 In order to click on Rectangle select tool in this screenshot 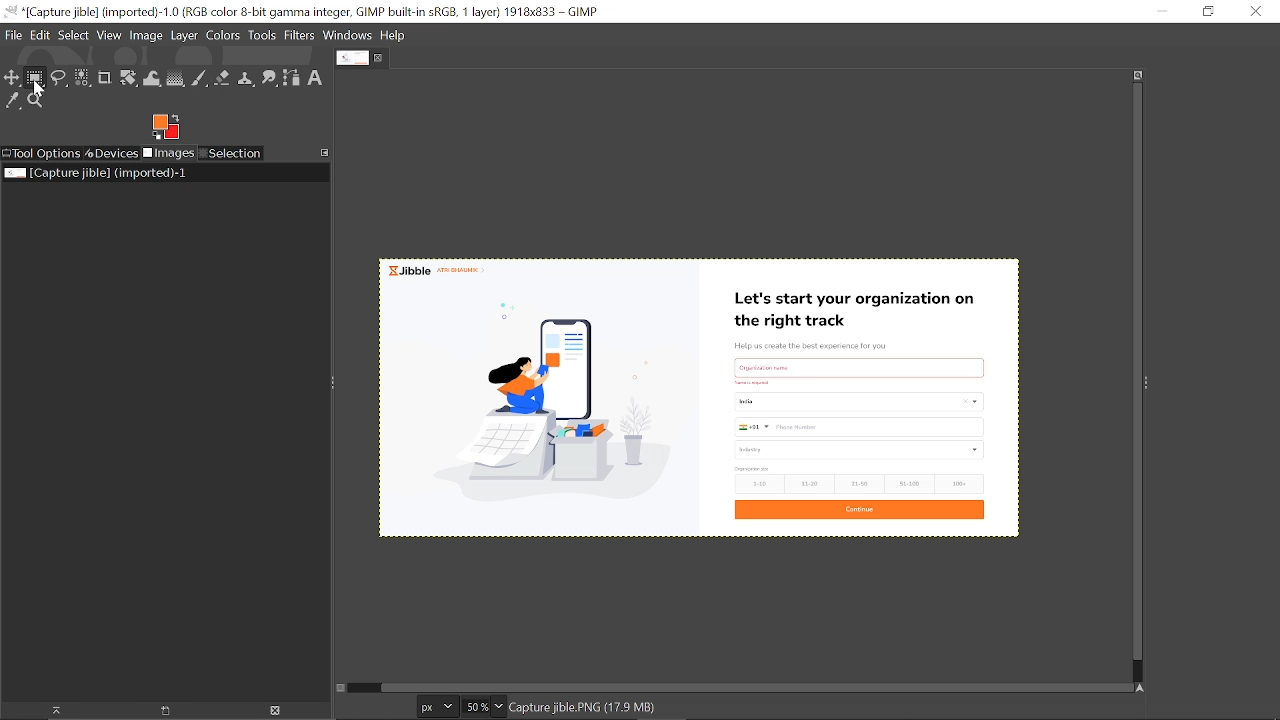, I will do `click(36, 79)`.